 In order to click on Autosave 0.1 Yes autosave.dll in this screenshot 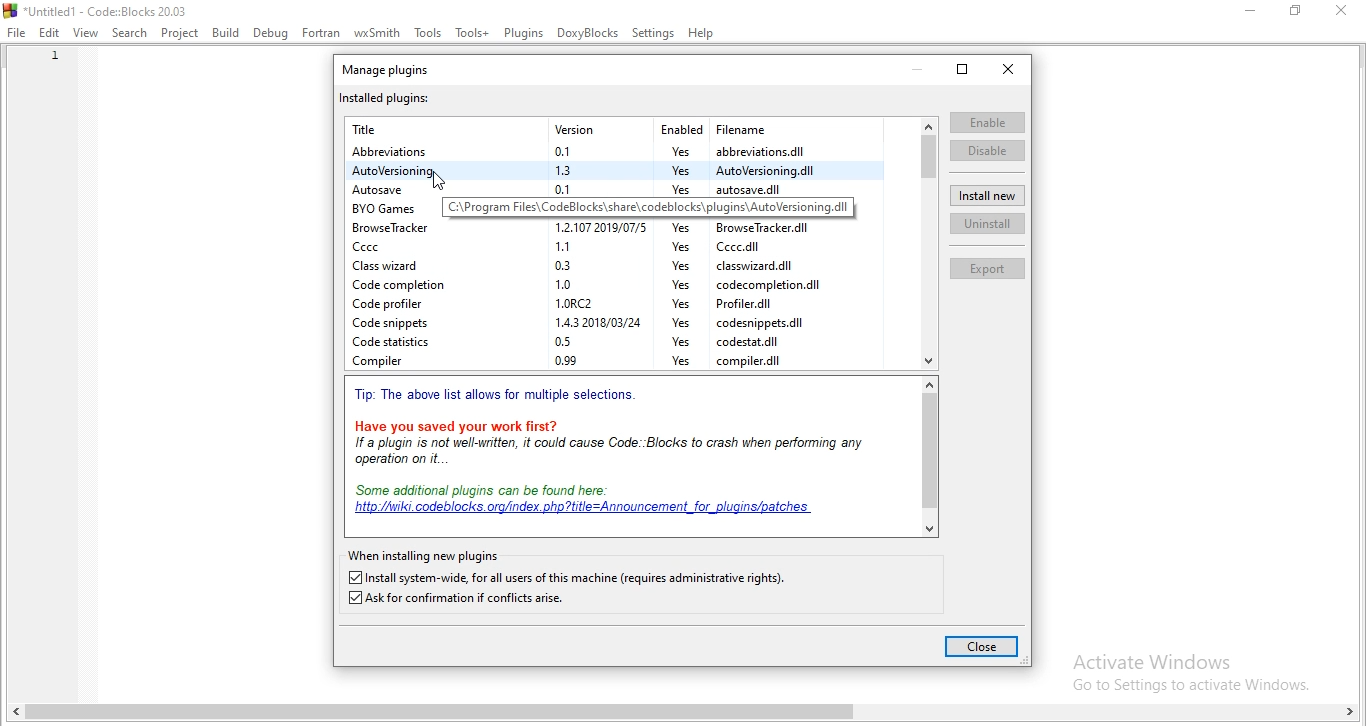, I will do `click(592, 190)`.